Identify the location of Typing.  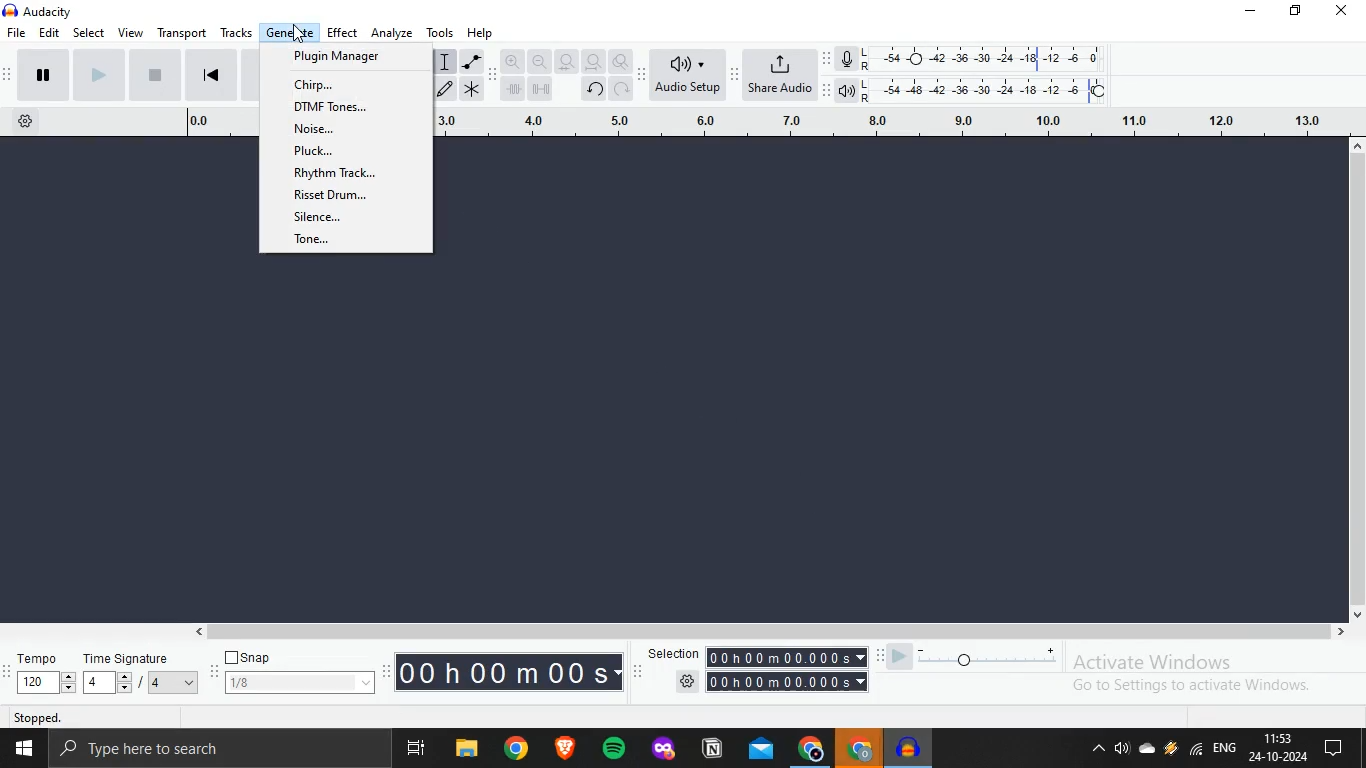
(445, 62).